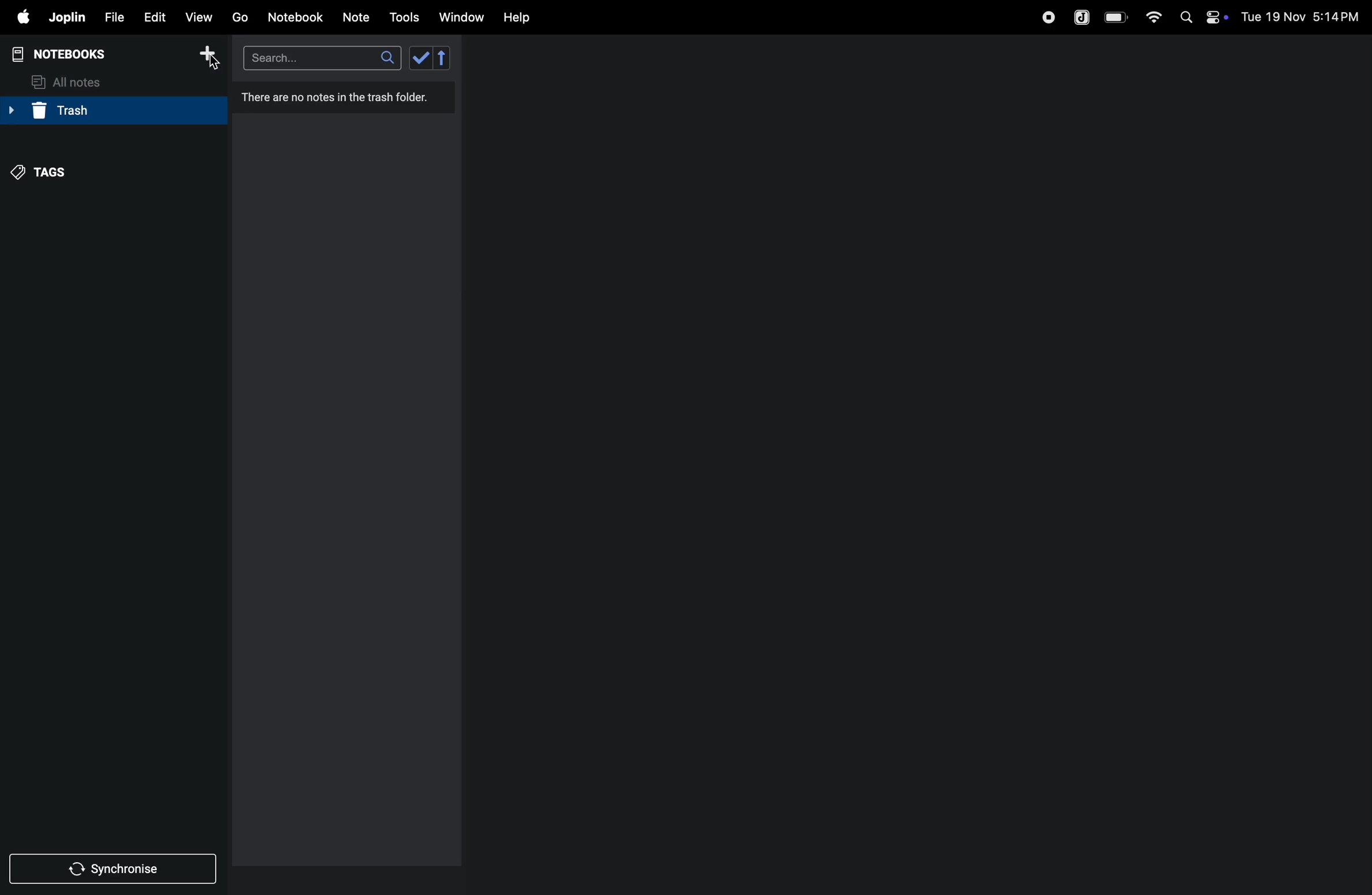  What do you see at coordinates (525, 18) in the screenshot?
I see `help` at bounding box center [525, 18].